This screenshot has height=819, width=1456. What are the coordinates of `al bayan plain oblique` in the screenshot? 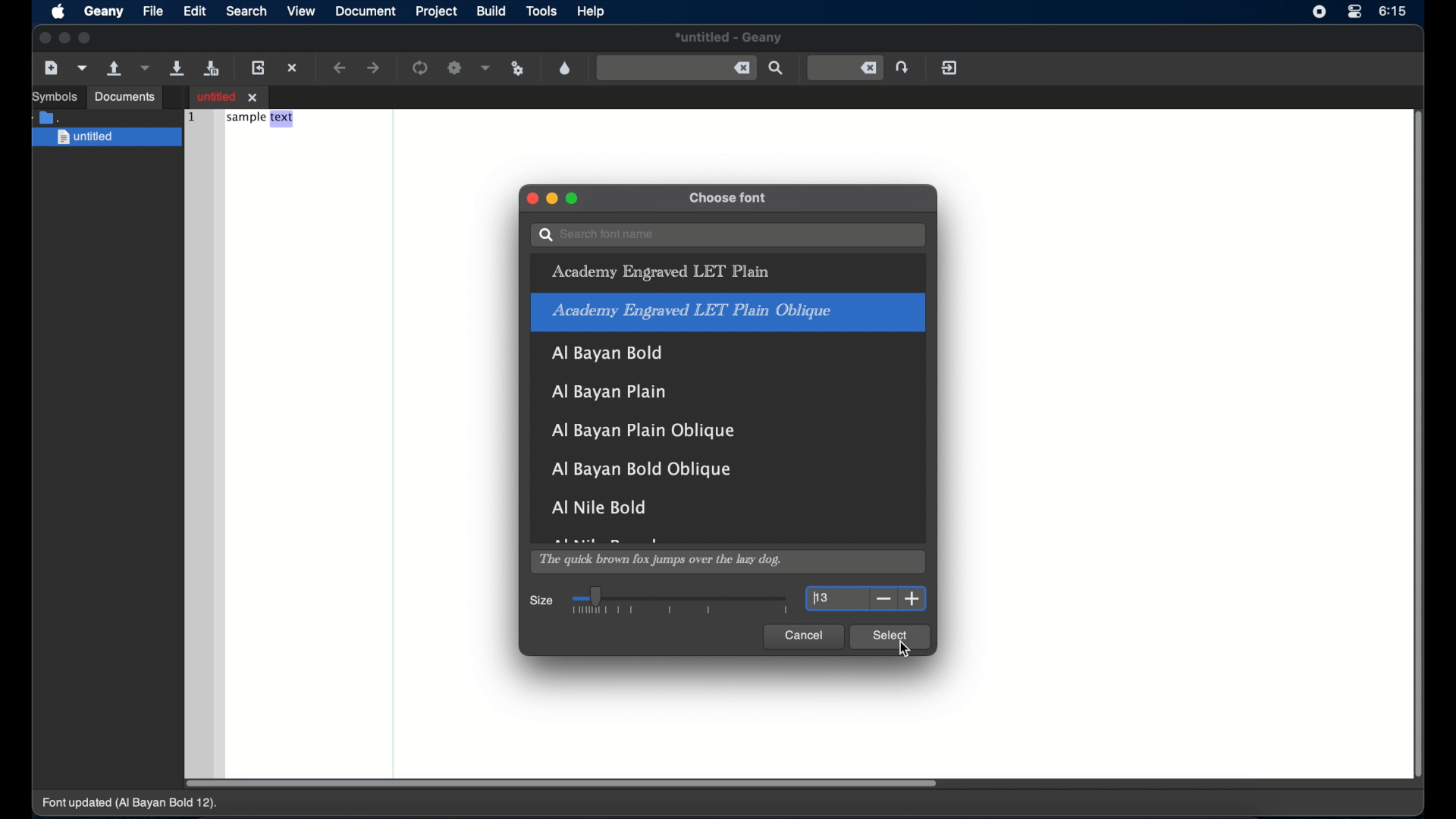 It's located at (645, 431).